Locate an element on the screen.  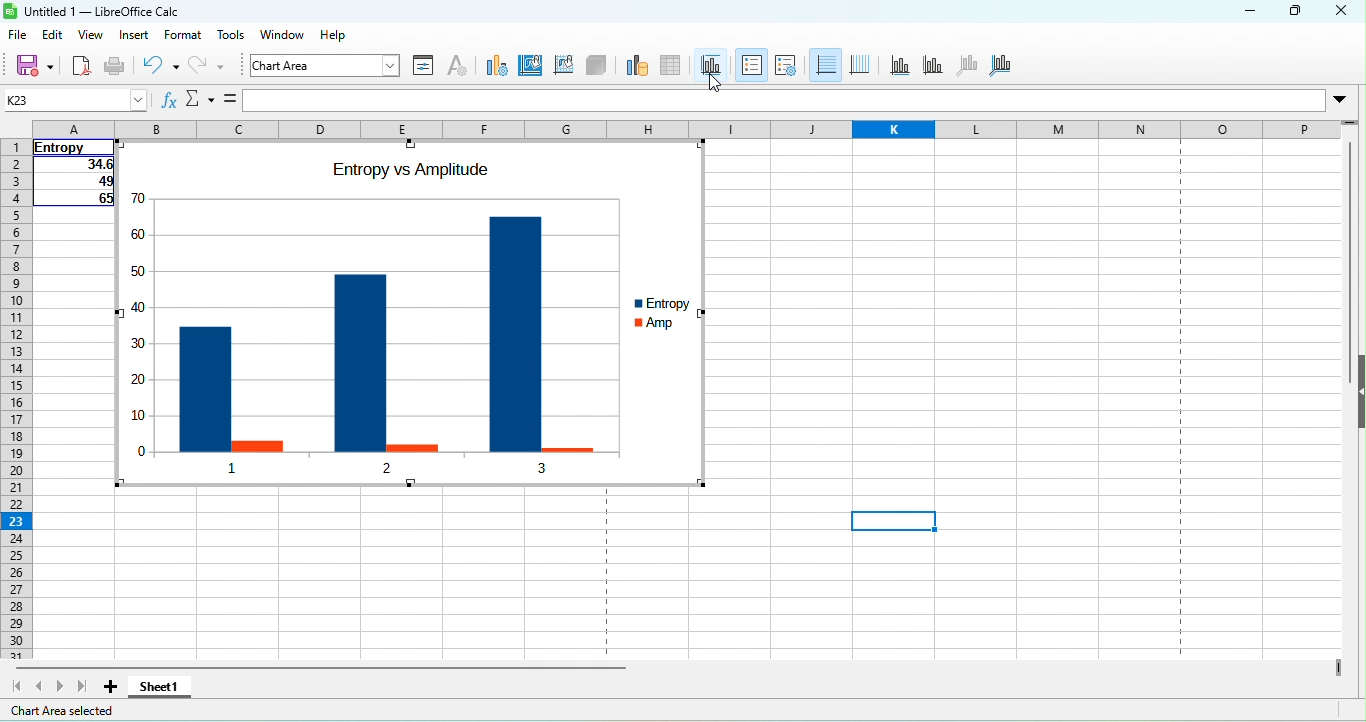
vertical gids is located at coordinates (864, 65).